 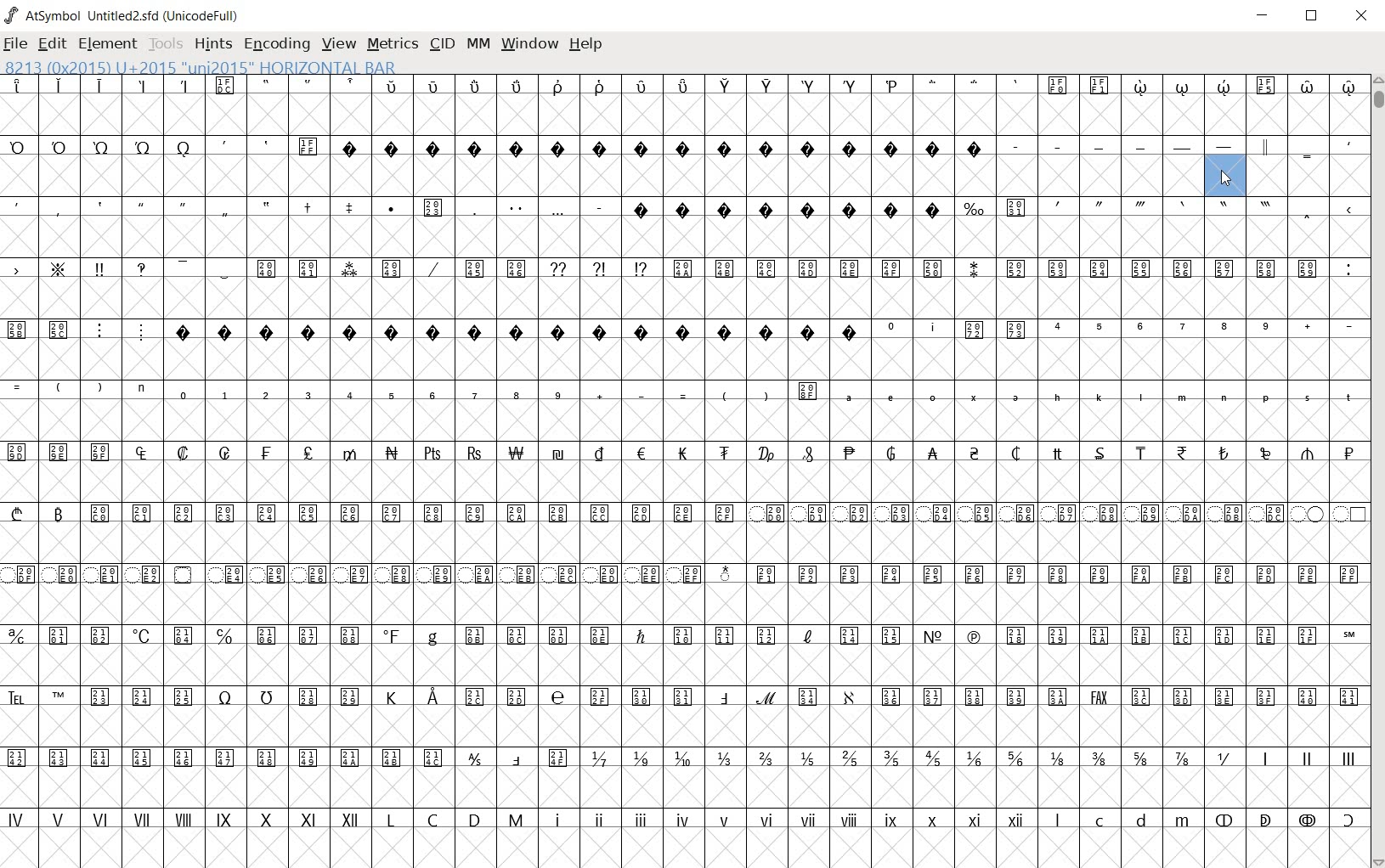 What do you see at coordinates (1378, 471) in the screenshot?
I see `SCROLLBAR` at bounding box center [1378, 471].